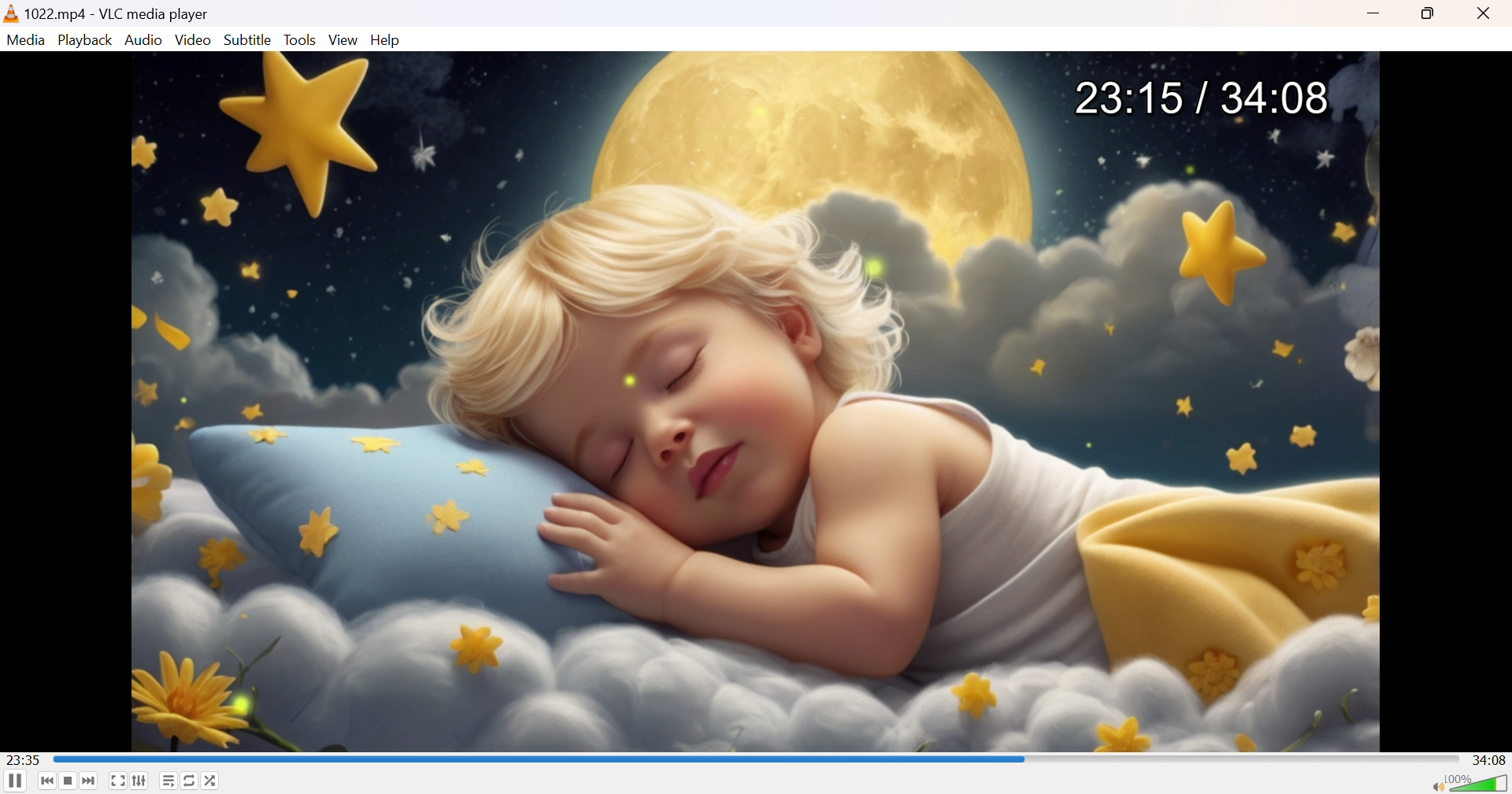 This screenshot has height=794, width=1512. What do you see at coordinates (194, 40) in the screenshot?
I see `Video` at bounding box center [194, 40].